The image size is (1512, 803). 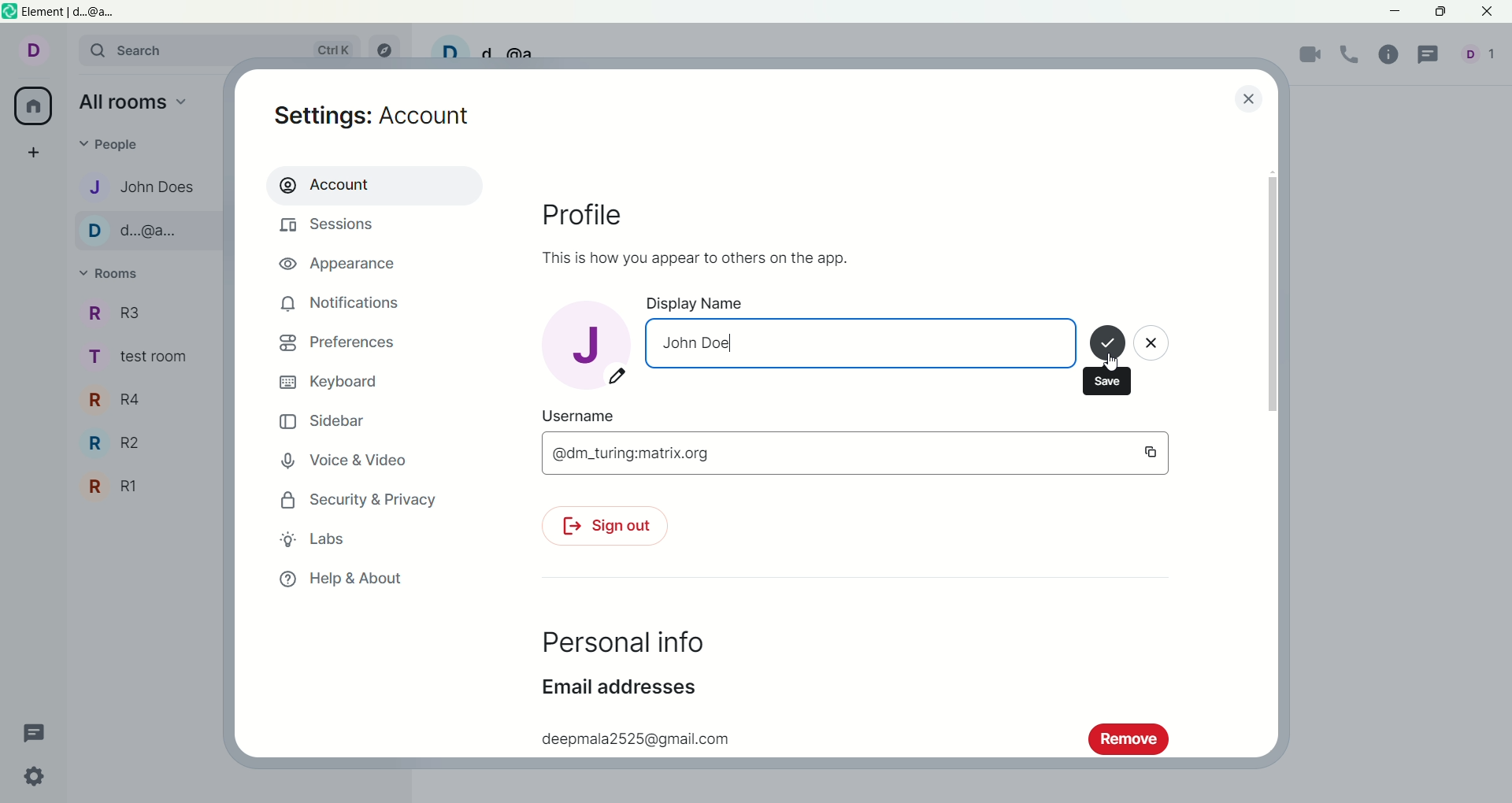 I want to click on security and privacy, so click(x=354, y=501).